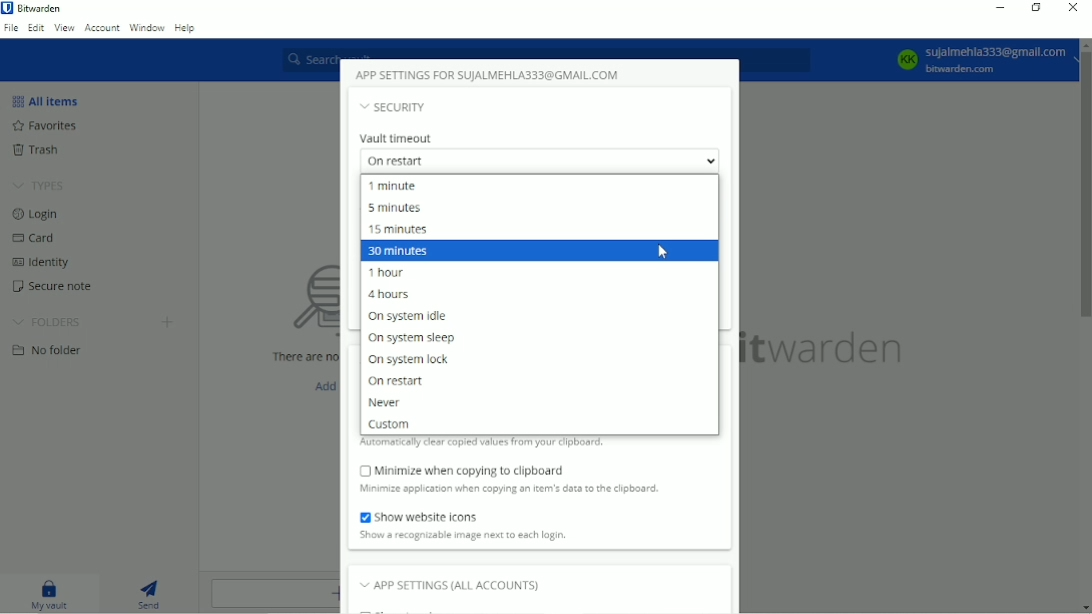 The image size is (1092, 614). I want to click on Identity, so click(51, 260).